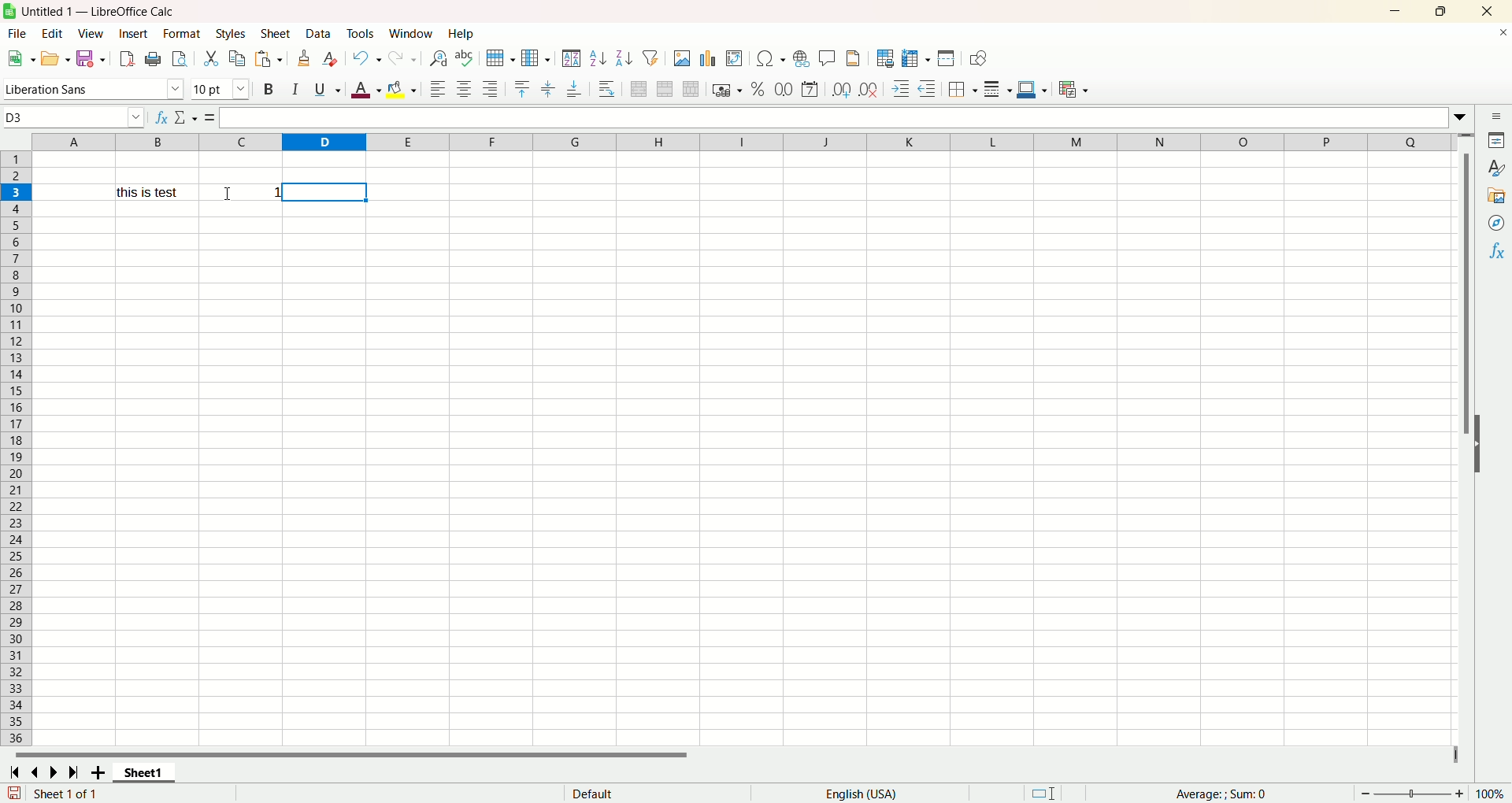  I want to click on sheet number, so click(88, 794).